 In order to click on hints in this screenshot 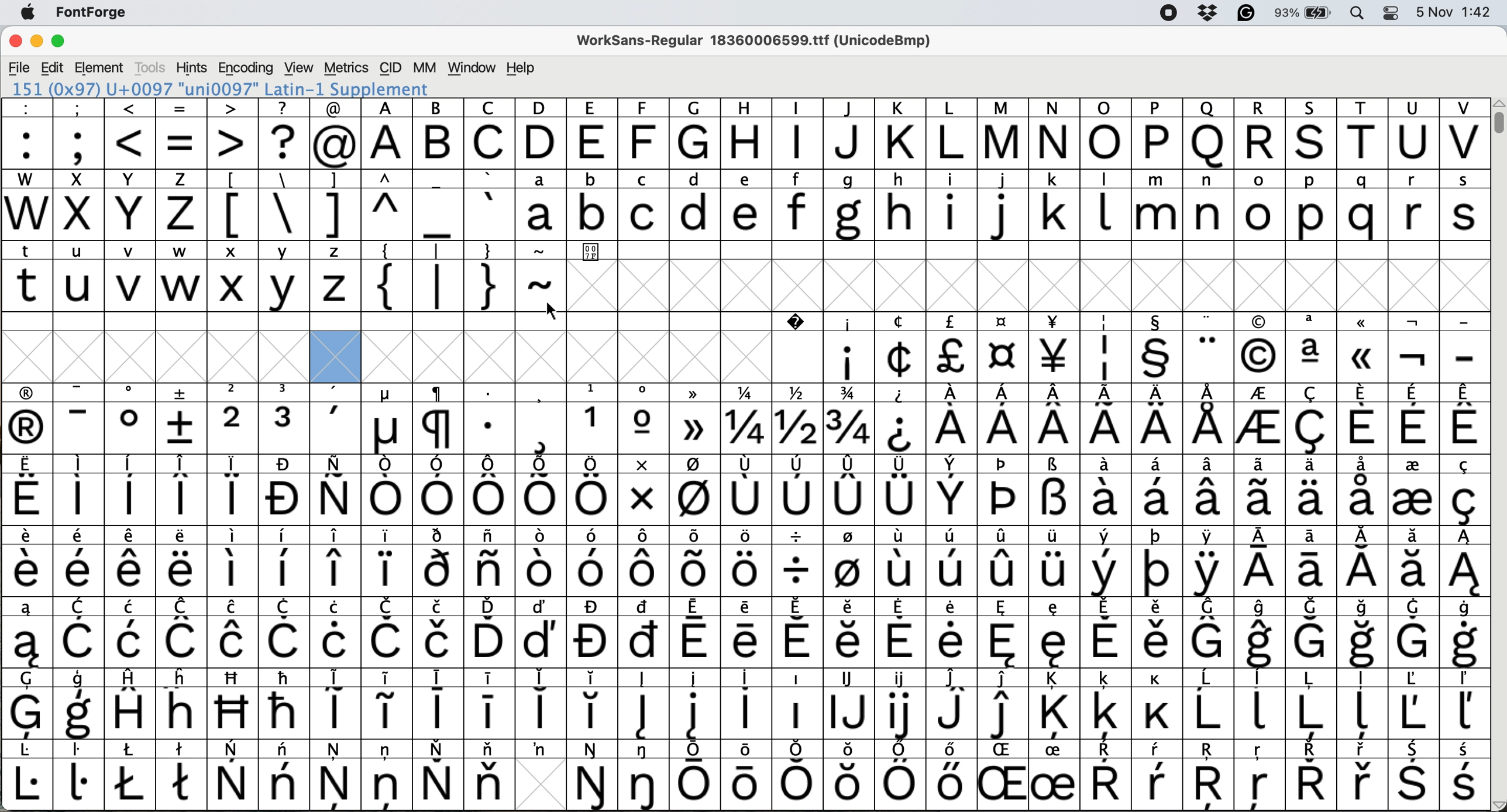, I will do `click(192, 67)`.